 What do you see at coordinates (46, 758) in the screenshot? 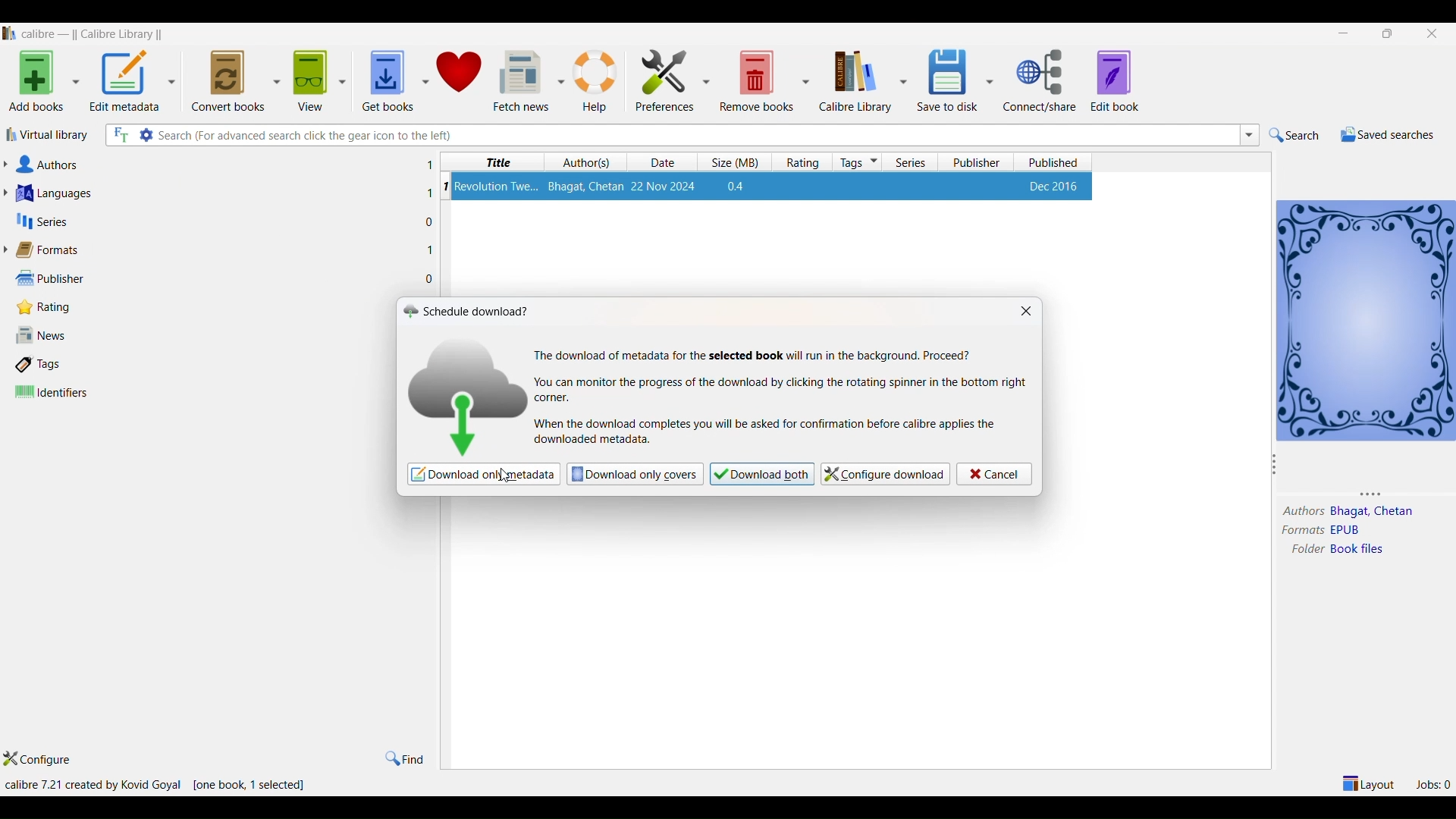
I see `configure` at bounding box center [46, 758].